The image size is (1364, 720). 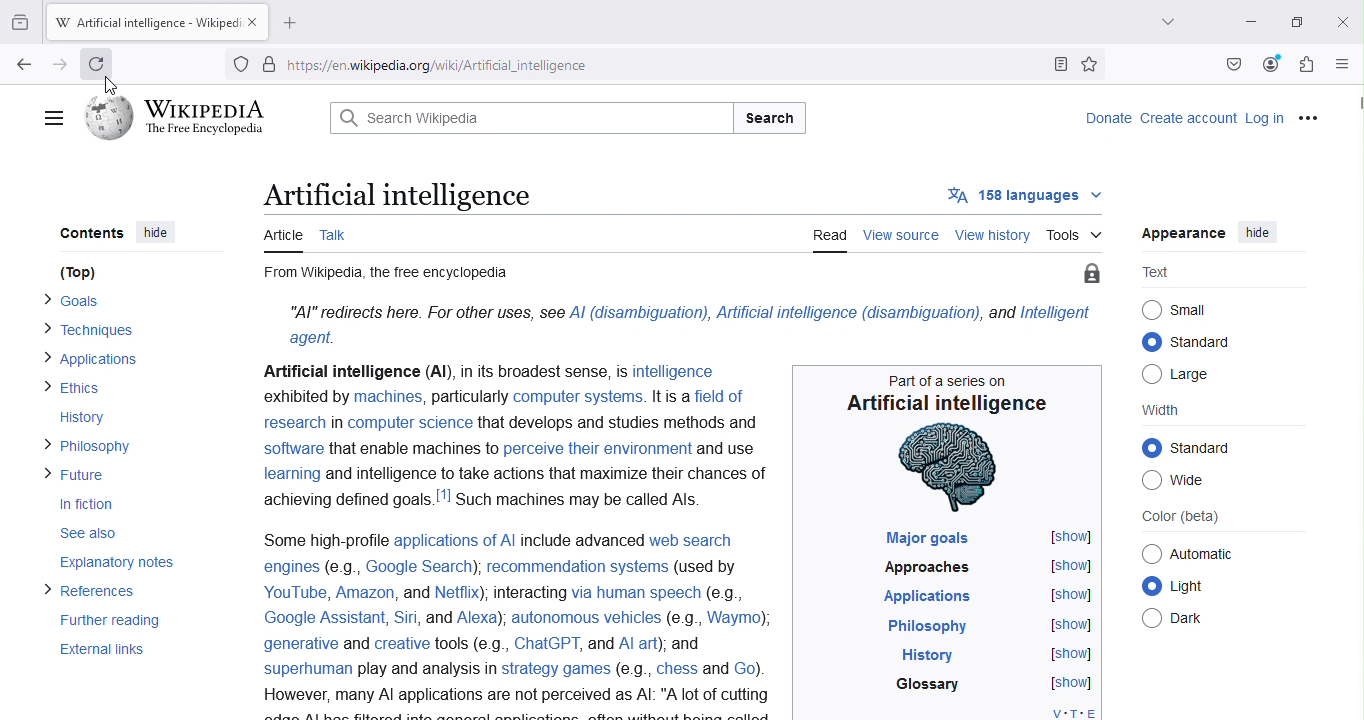 What do you see at coordinates (1059, 65) in the screenshot?
I see `Toggle reader view` at bounding box center [1059, 65].